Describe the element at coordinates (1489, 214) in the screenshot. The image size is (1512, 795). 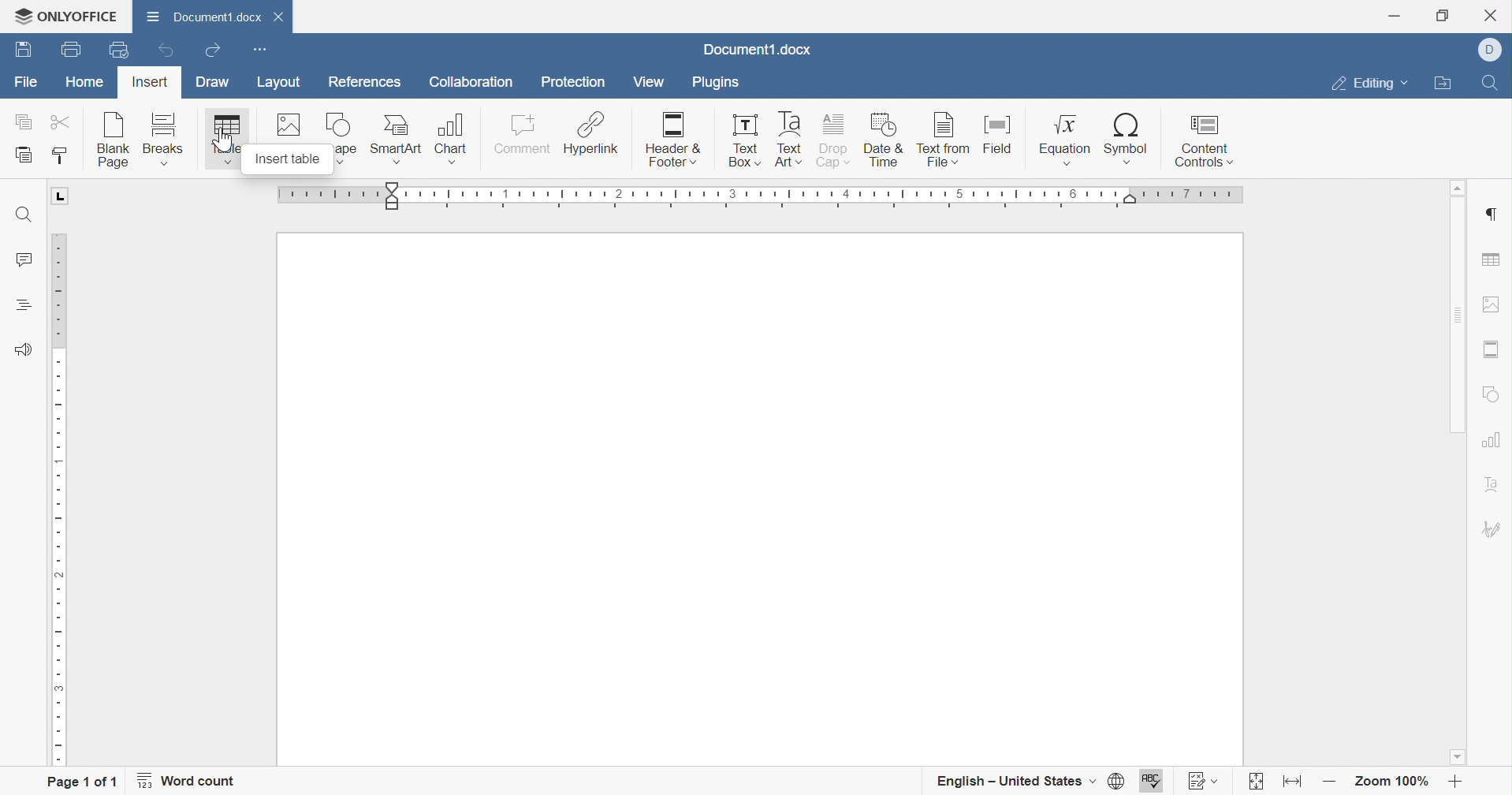
I see `Insert paragraph` at that location.